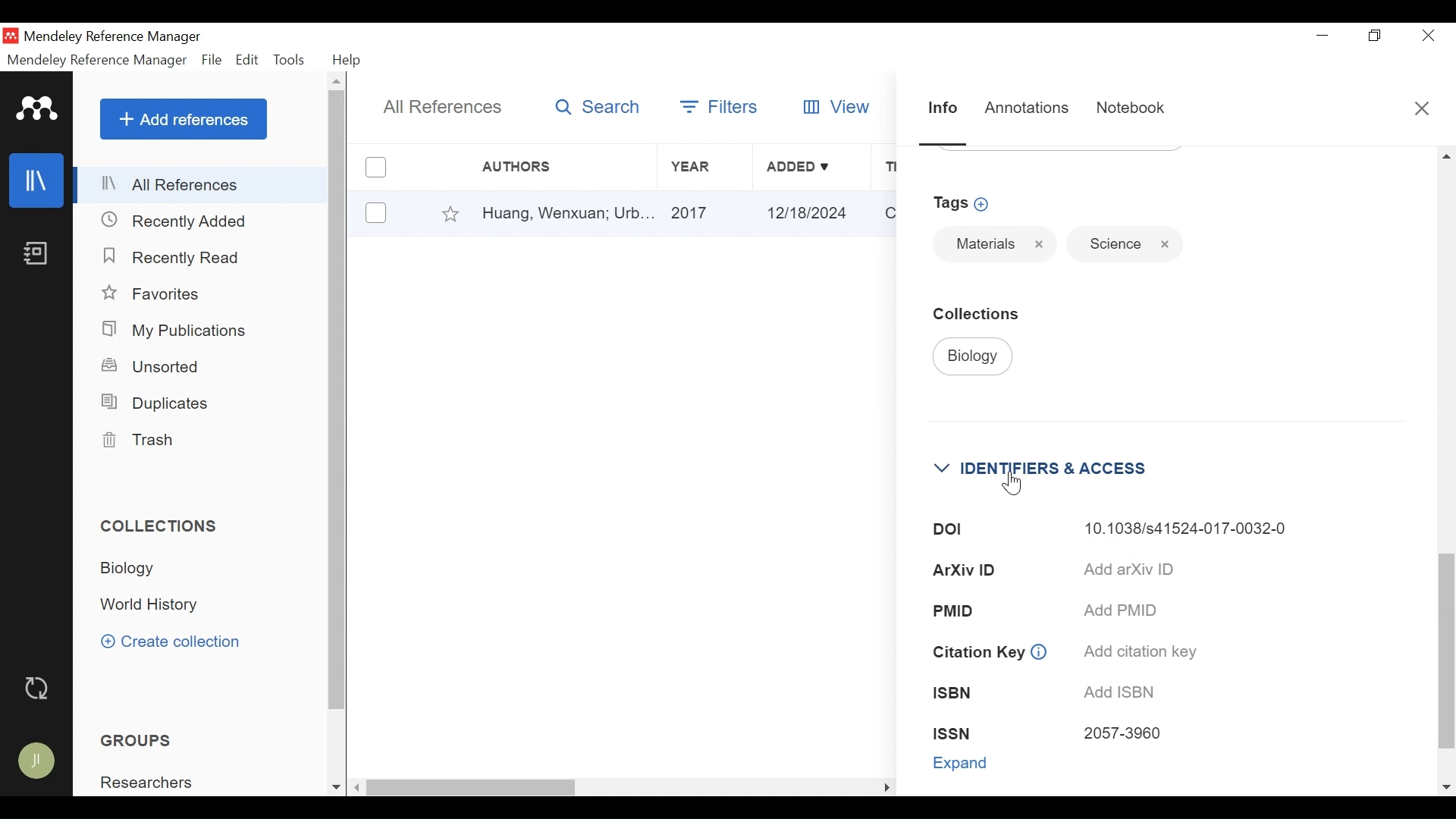  I want to click on 12/18/2024, so click(811, 212).